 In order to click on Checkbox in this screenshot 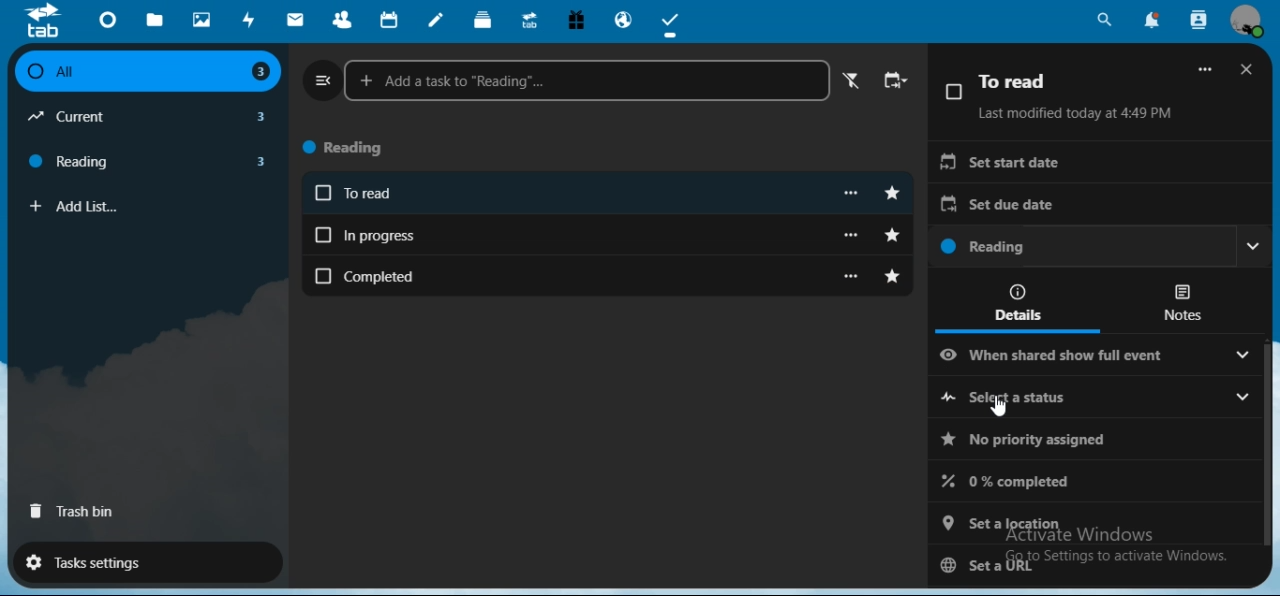, I will do `click(953, 91)`.